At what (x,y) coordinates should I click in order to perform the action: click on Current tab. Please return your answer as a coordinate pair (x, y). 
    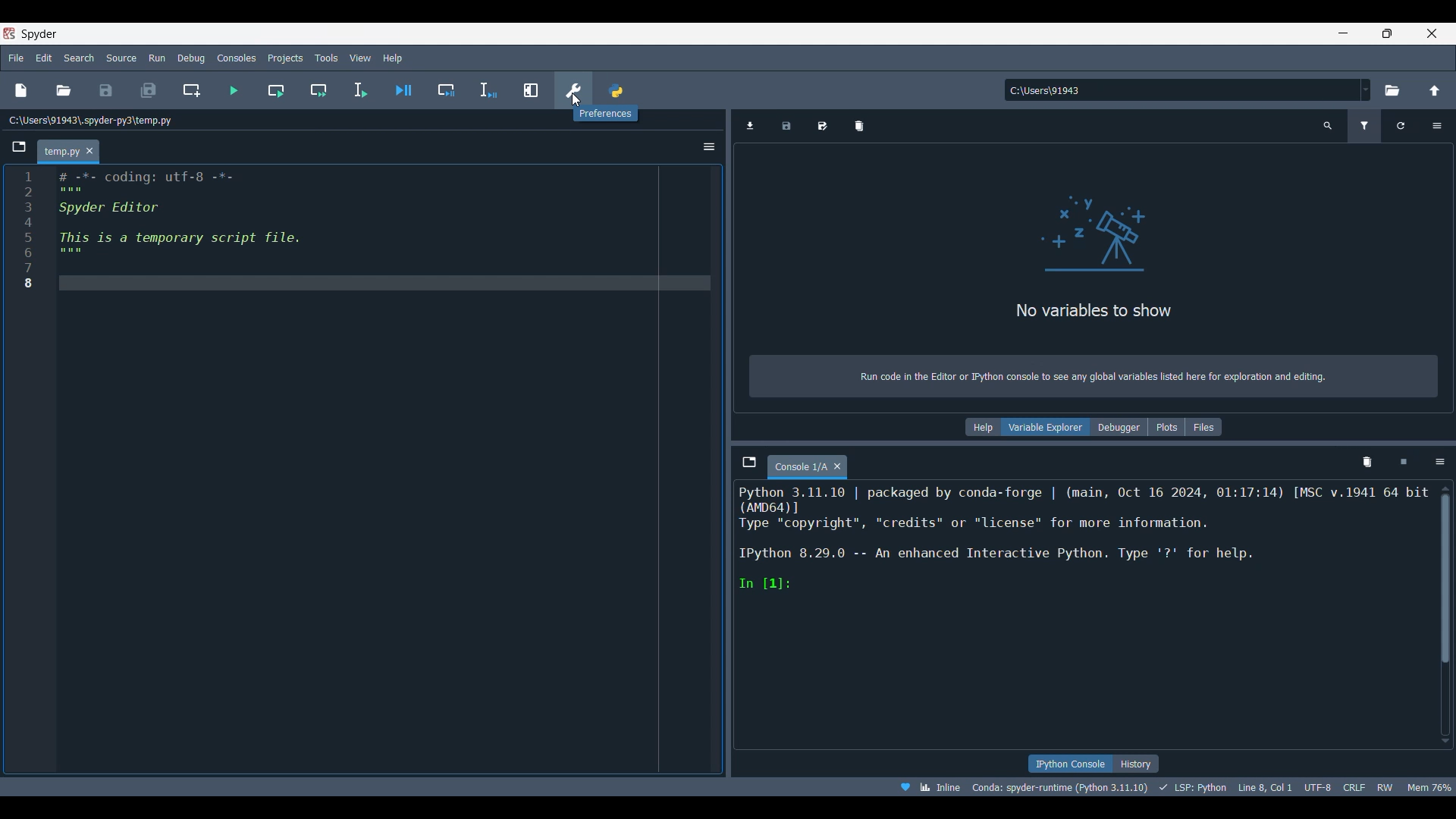
    Looking at the image, I should click on (59, 152).